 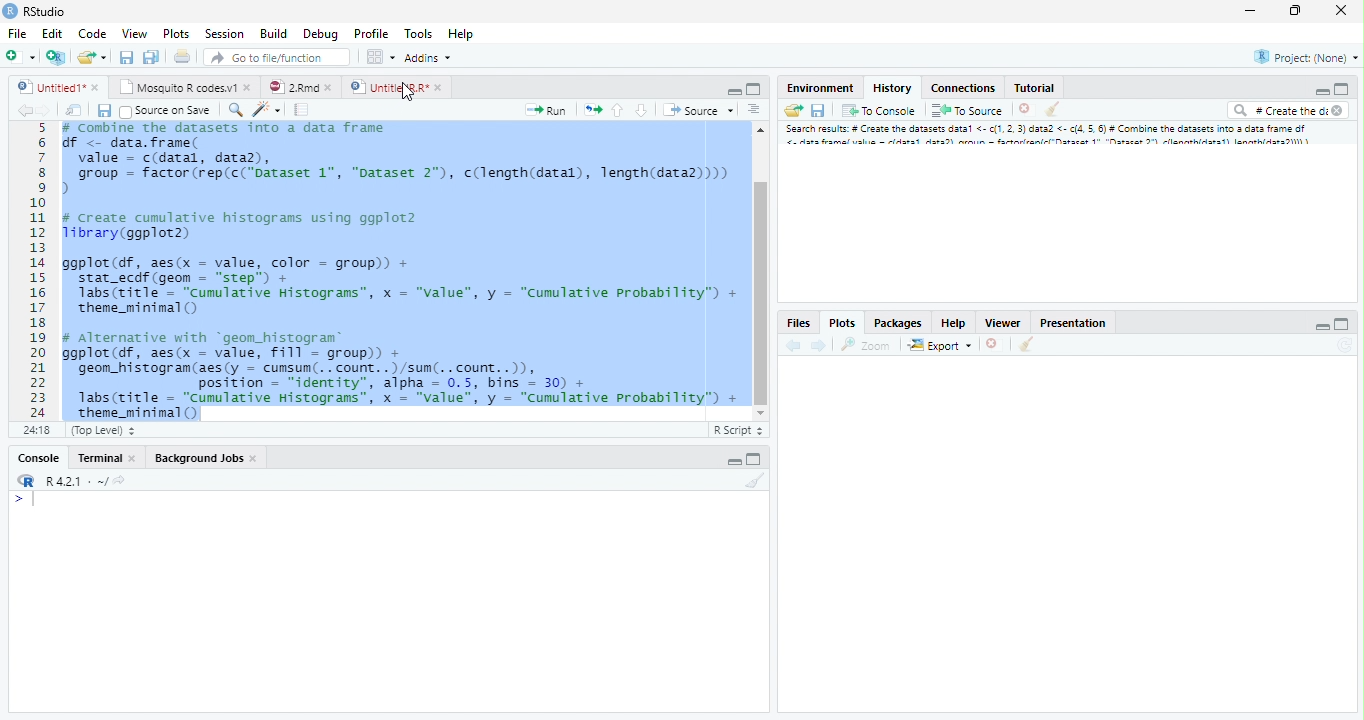 What do you see at coordinates (165, 112) in the screenshot?
I see `Source on Save` at bounding box center [165, 112].